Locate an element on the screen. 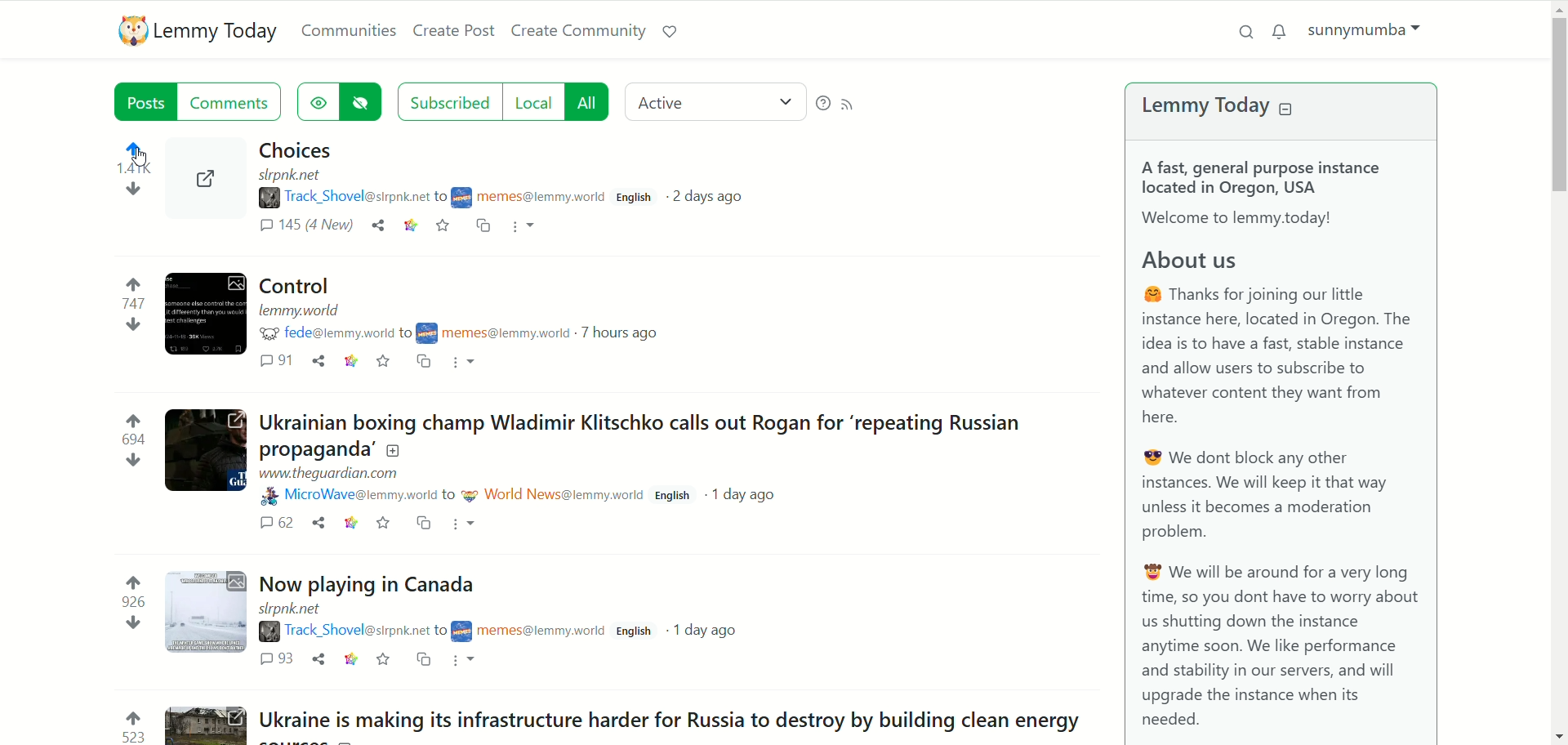  username is located at coordinates (565, 493).